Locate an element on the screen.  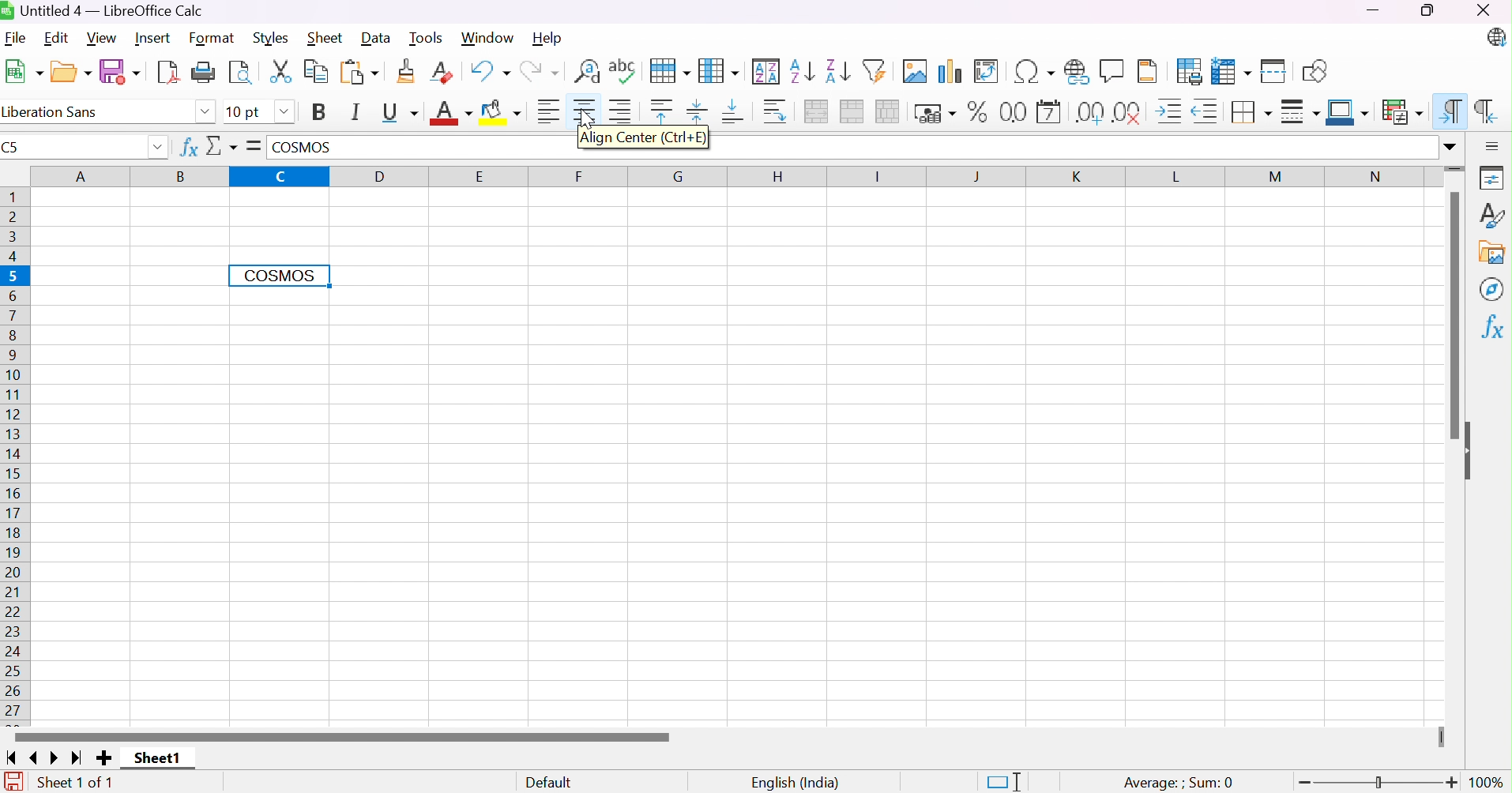
Tools is located at coordinates (427, 37).